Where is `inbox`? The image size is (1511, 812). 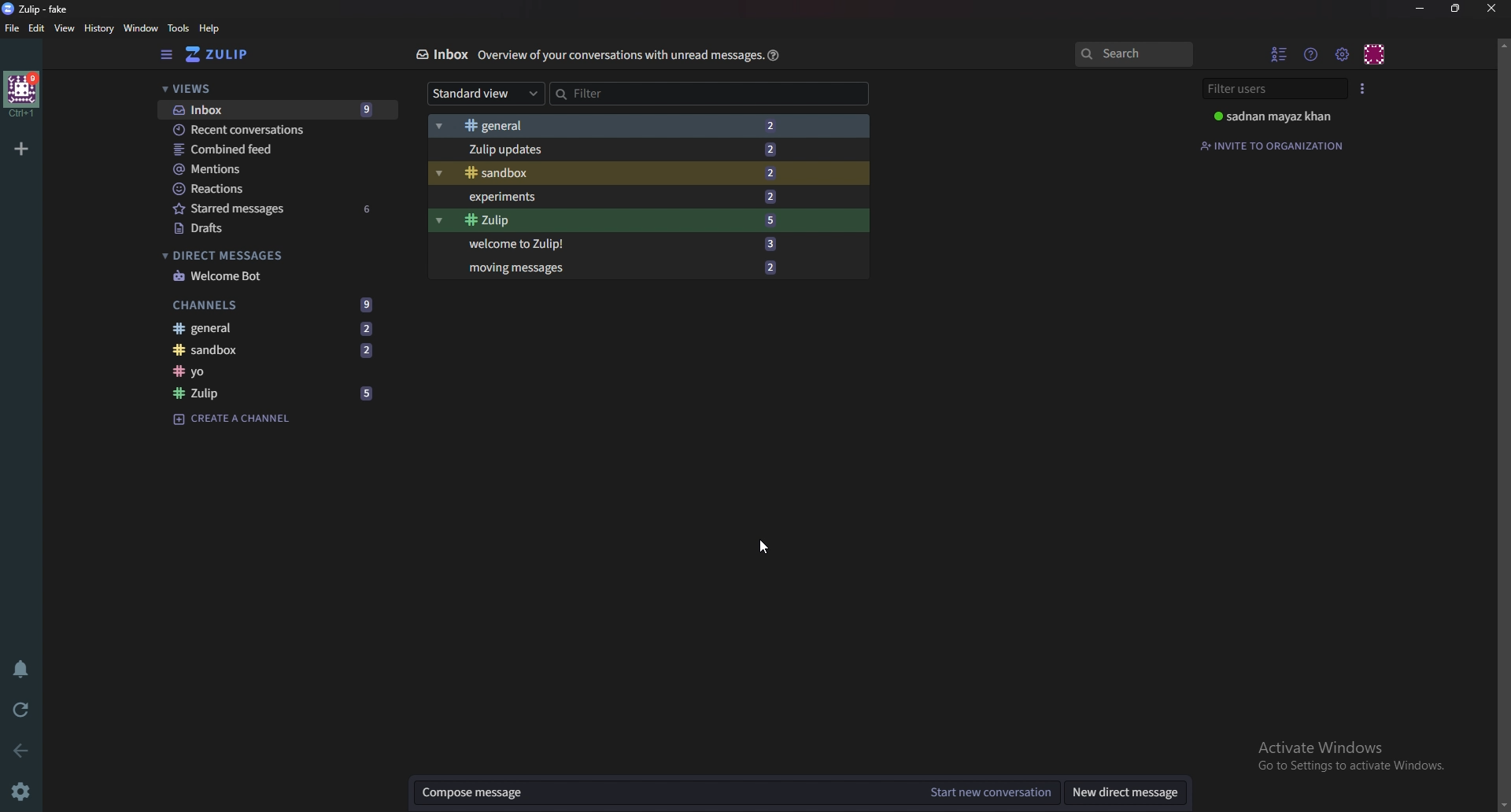
inbox is located at coordinates (278, 109).